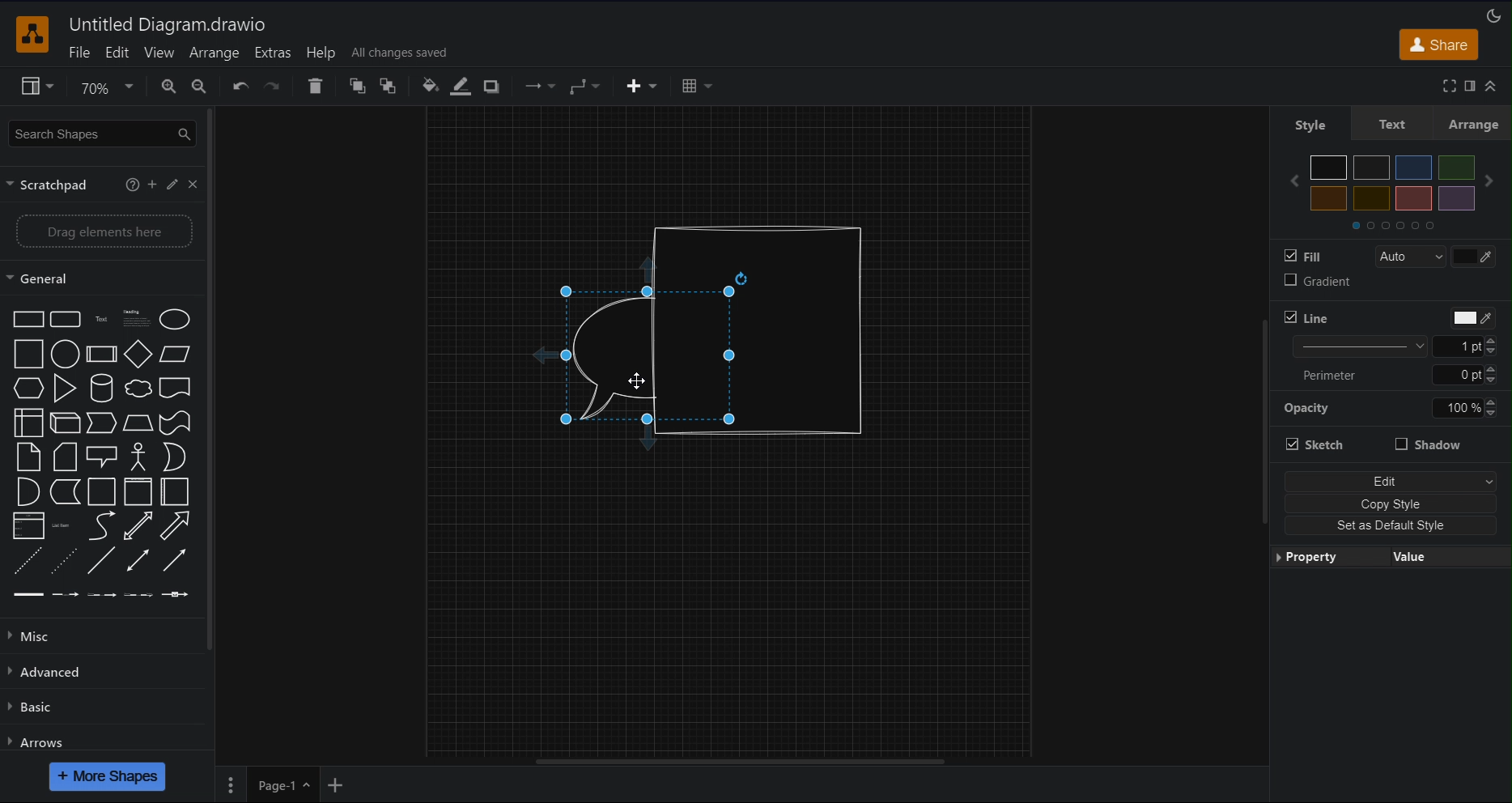  What do you see at coordinates (1391, 525) in the screenshot?
I see `Set as Default Style` at bounding box center [1391, 525].